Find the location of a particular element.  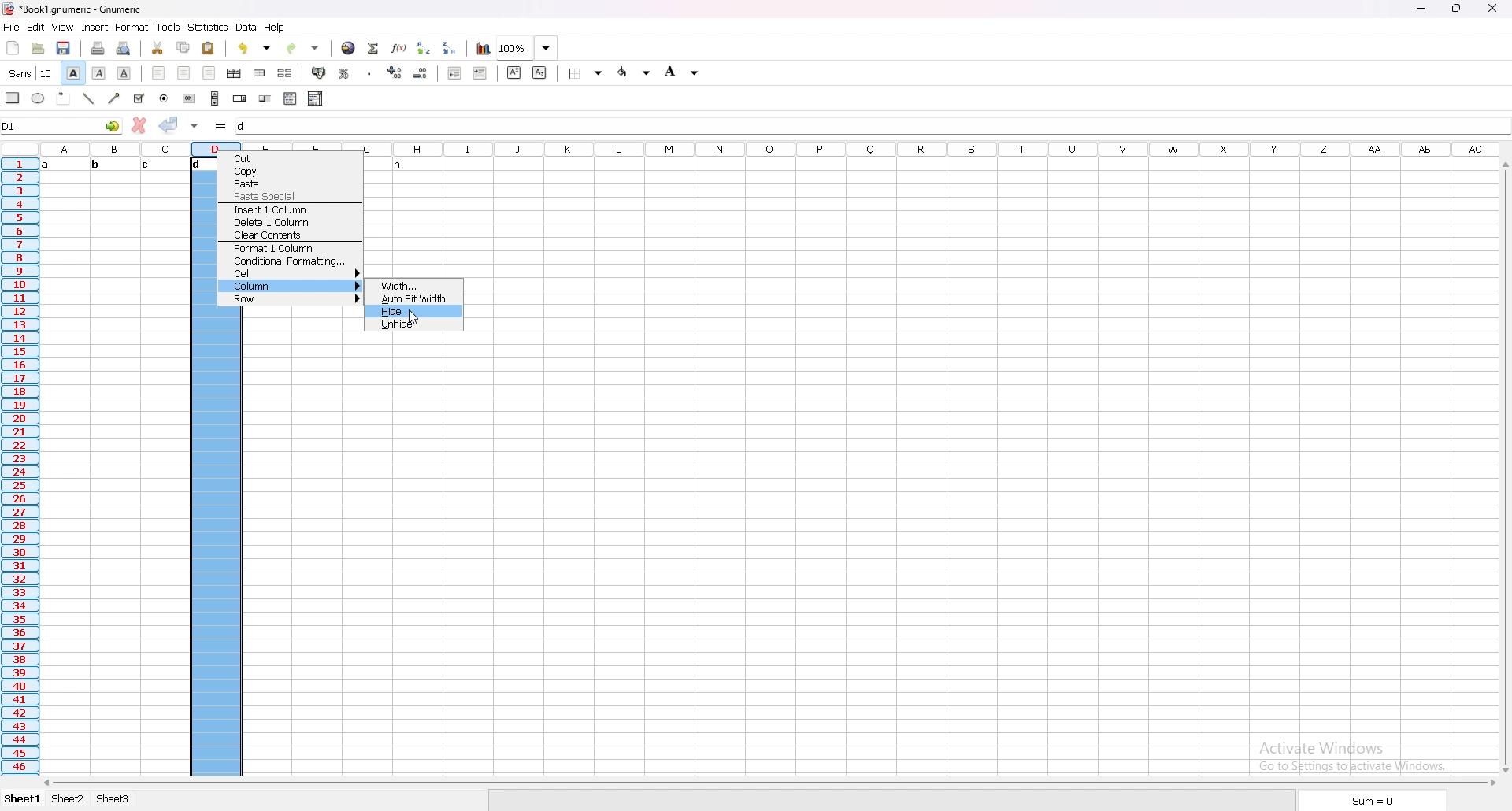

increase decimal is located at coordinates (396, 72).